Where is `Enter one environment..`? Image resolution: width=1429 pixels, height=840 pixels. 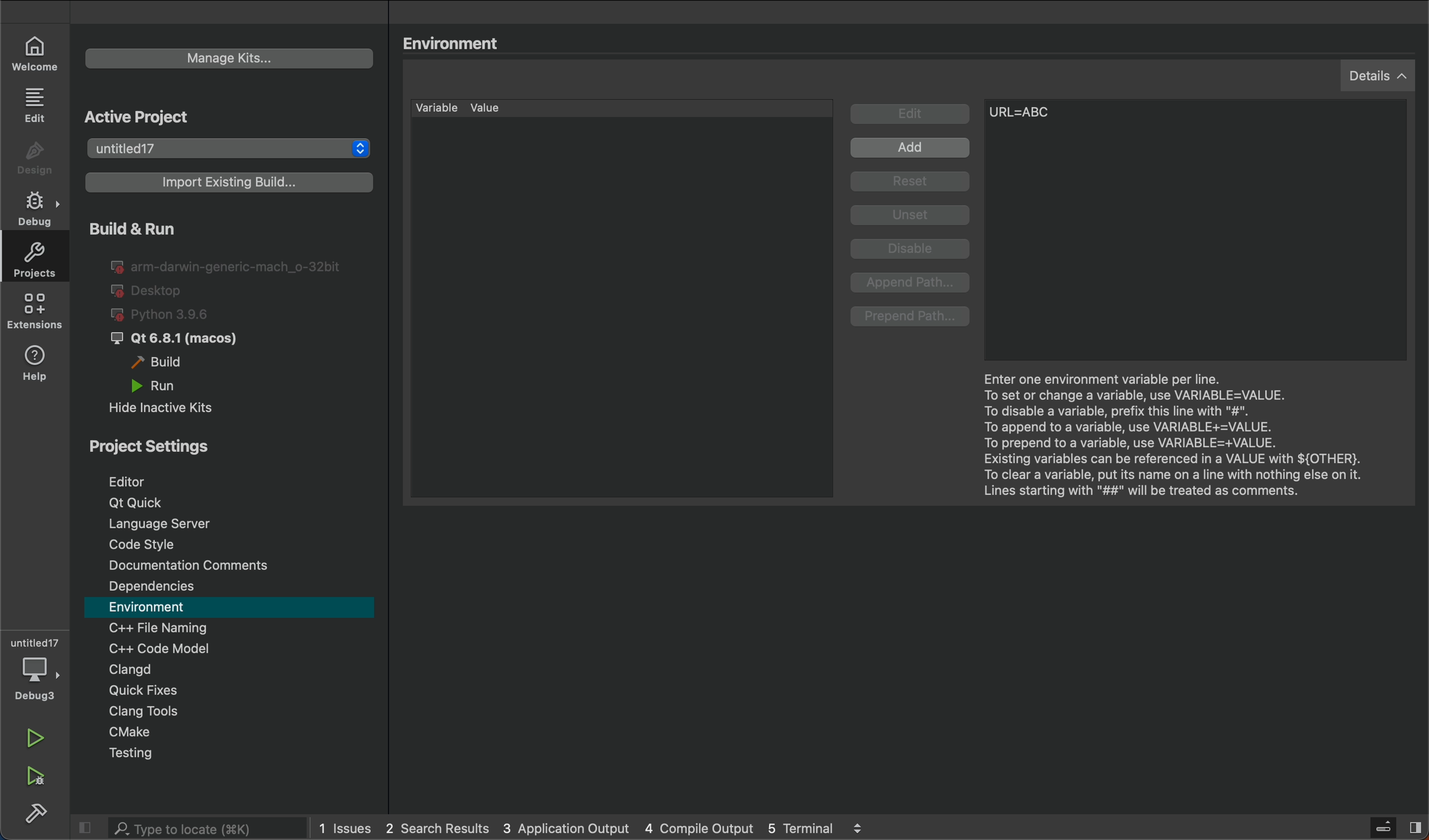
Enter one environment.. is located at coordinates (1179, 429).